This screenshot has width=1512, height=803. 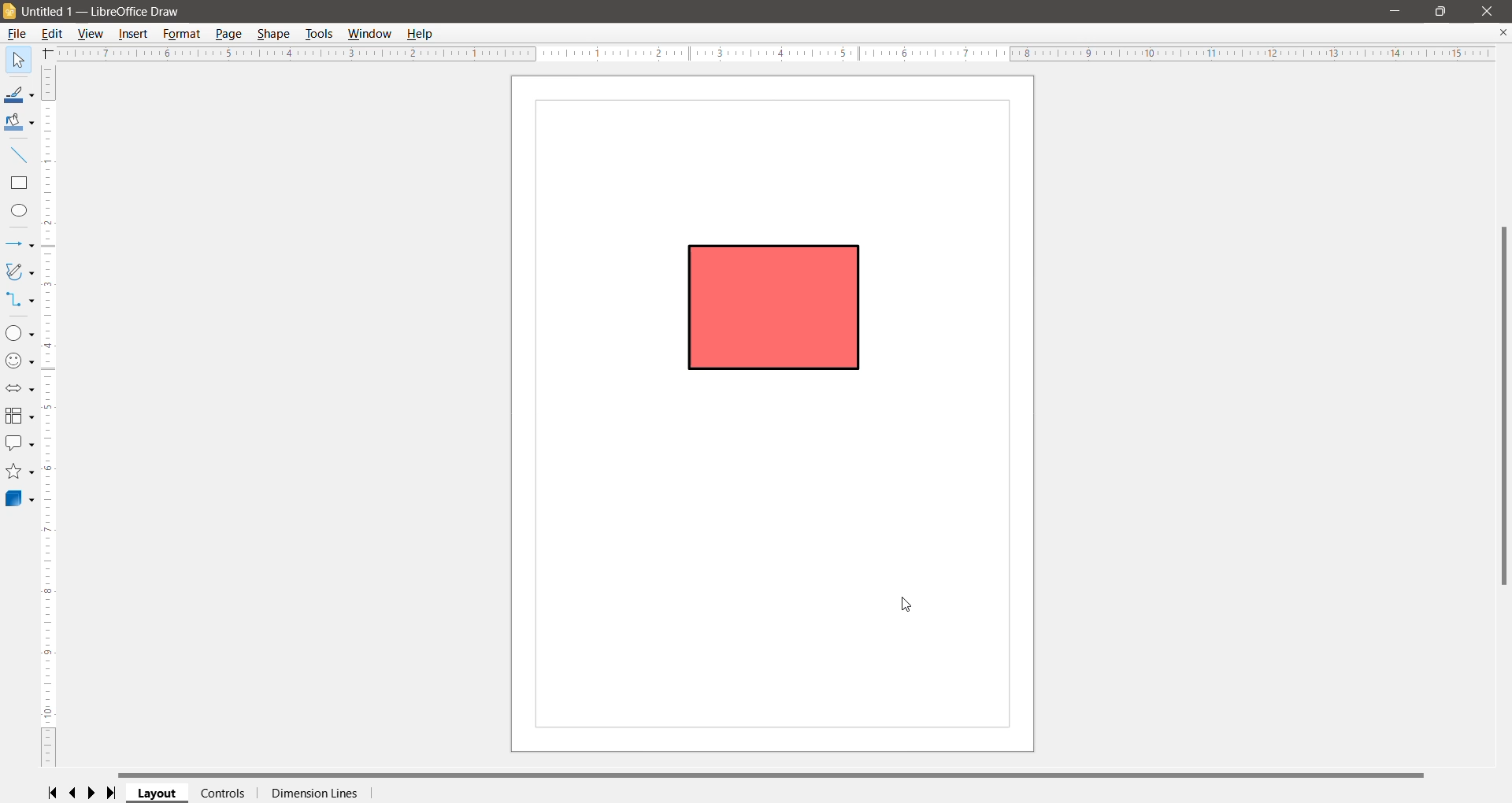 I want to click on Shape, so click(x=275, y=35).